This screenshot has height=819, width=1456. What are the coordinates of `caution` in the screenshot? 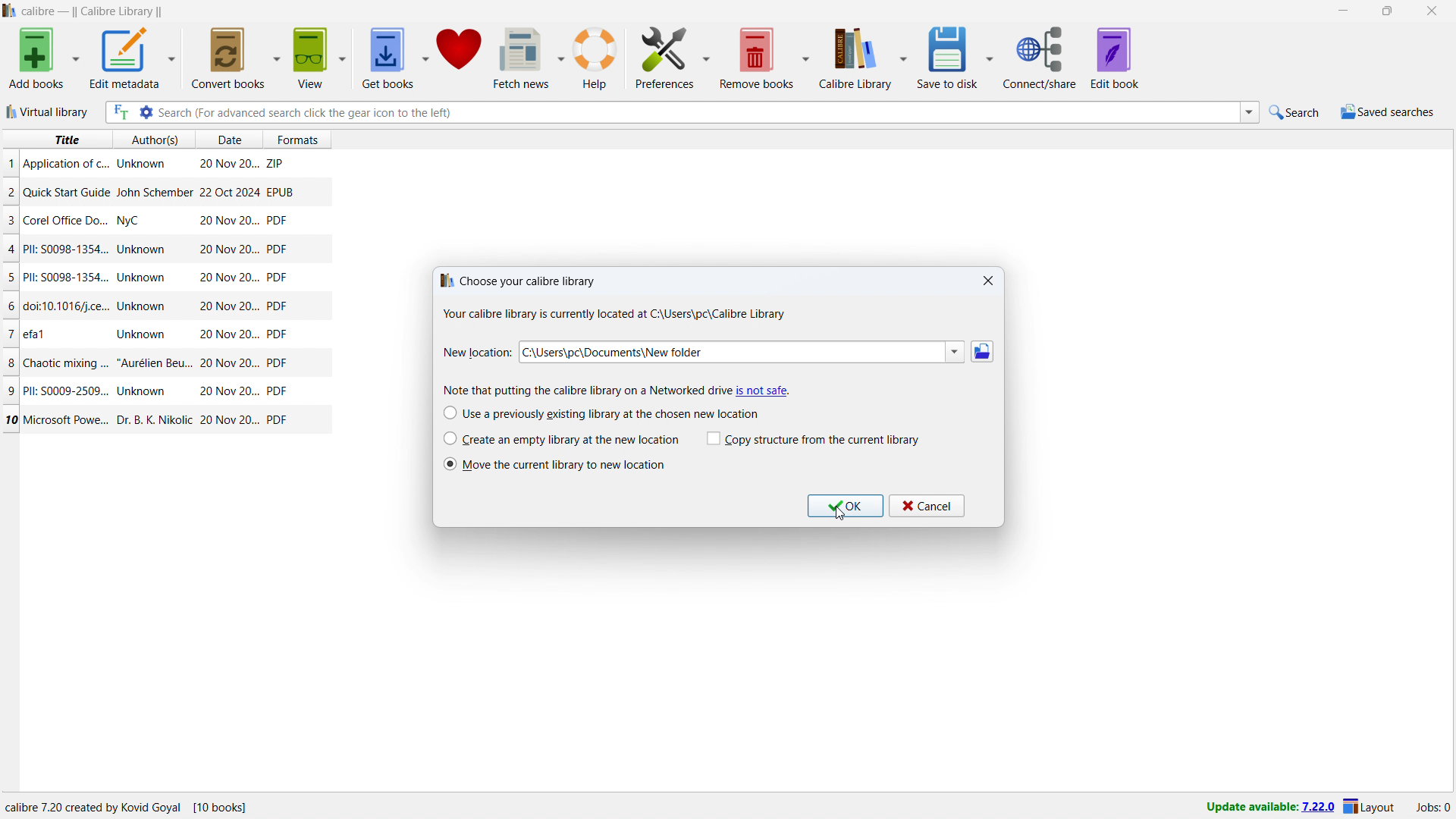 It's located at (762, 391).